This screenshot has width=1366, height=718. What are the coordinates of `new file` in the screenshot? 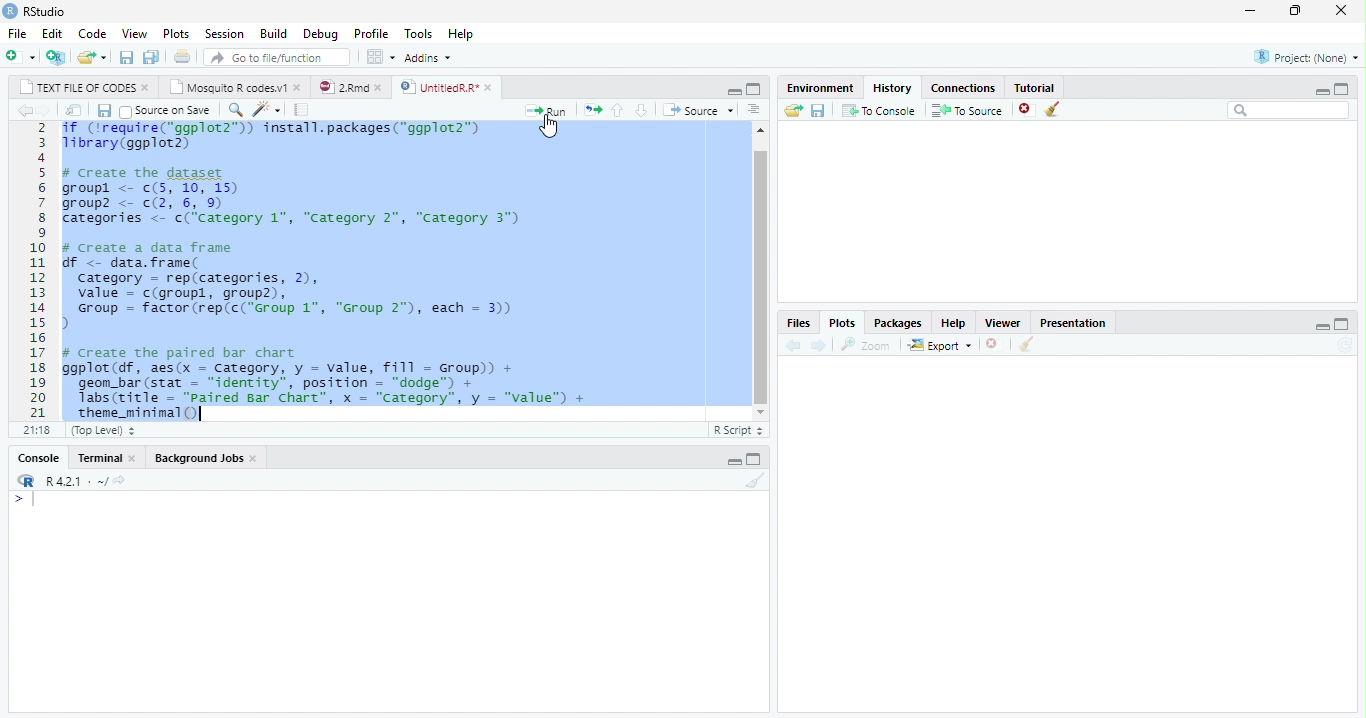 It's located at (19, 56).